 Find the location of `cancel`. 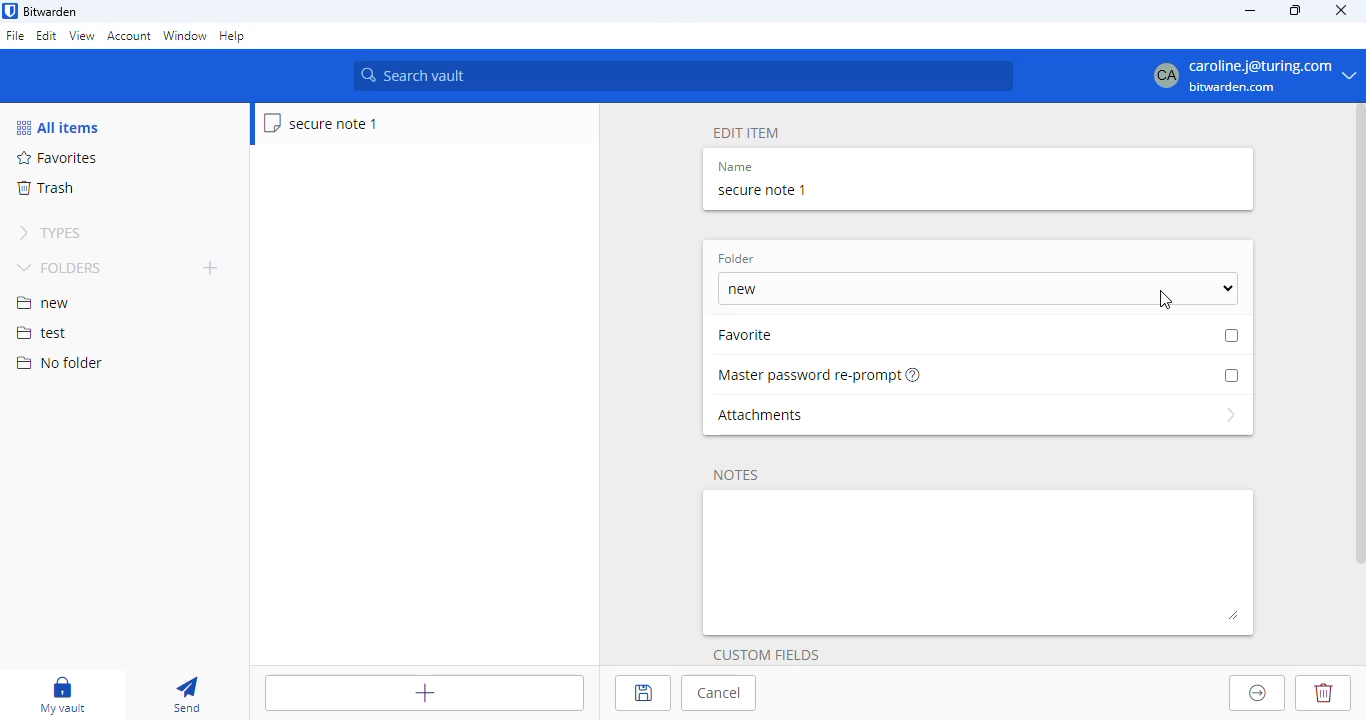

cancel is located at coordinates (719, 693).